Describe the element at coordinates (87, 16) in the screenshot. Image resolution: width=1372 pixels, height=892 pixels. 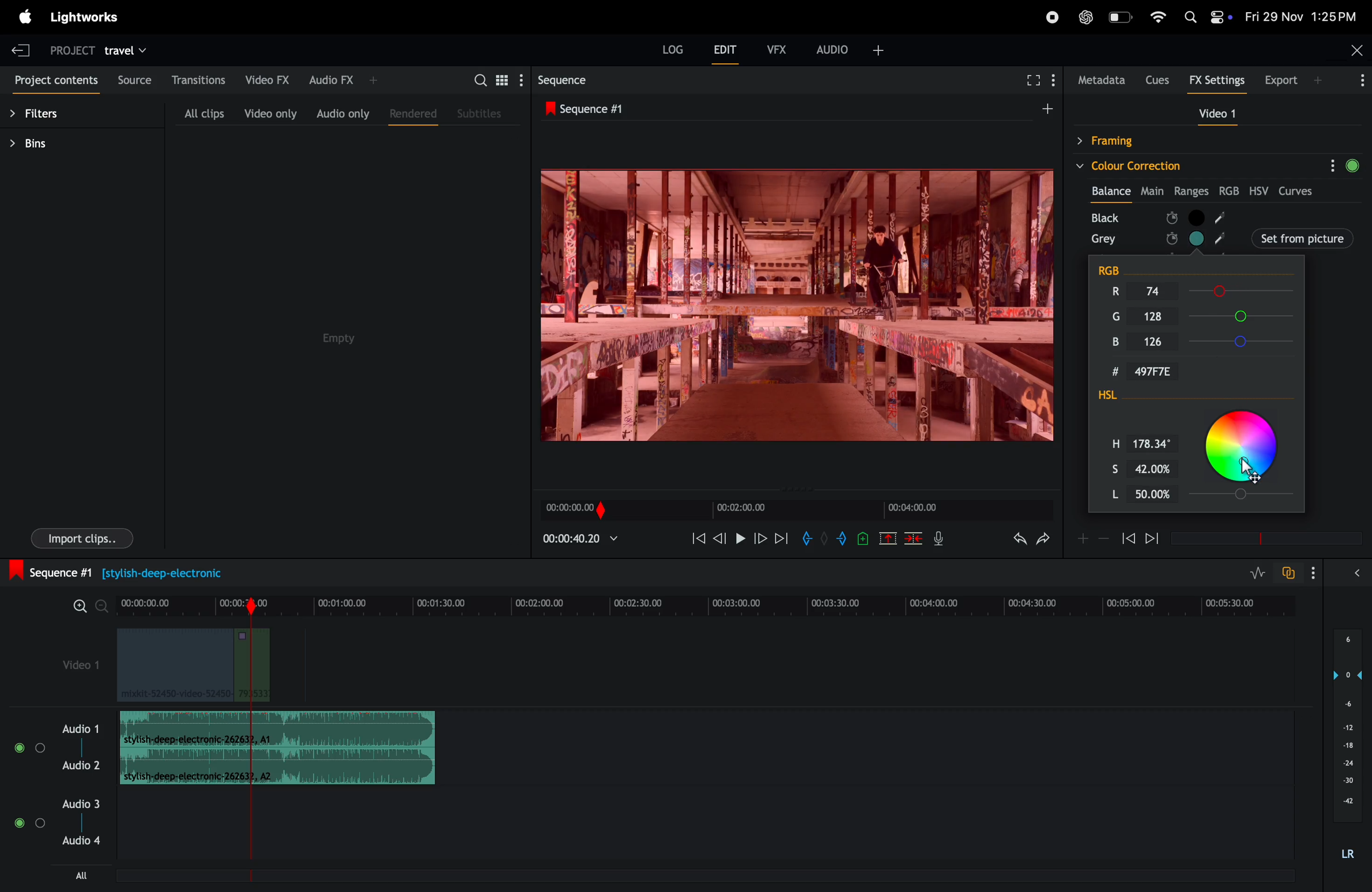
I see `light works menu` at that location.